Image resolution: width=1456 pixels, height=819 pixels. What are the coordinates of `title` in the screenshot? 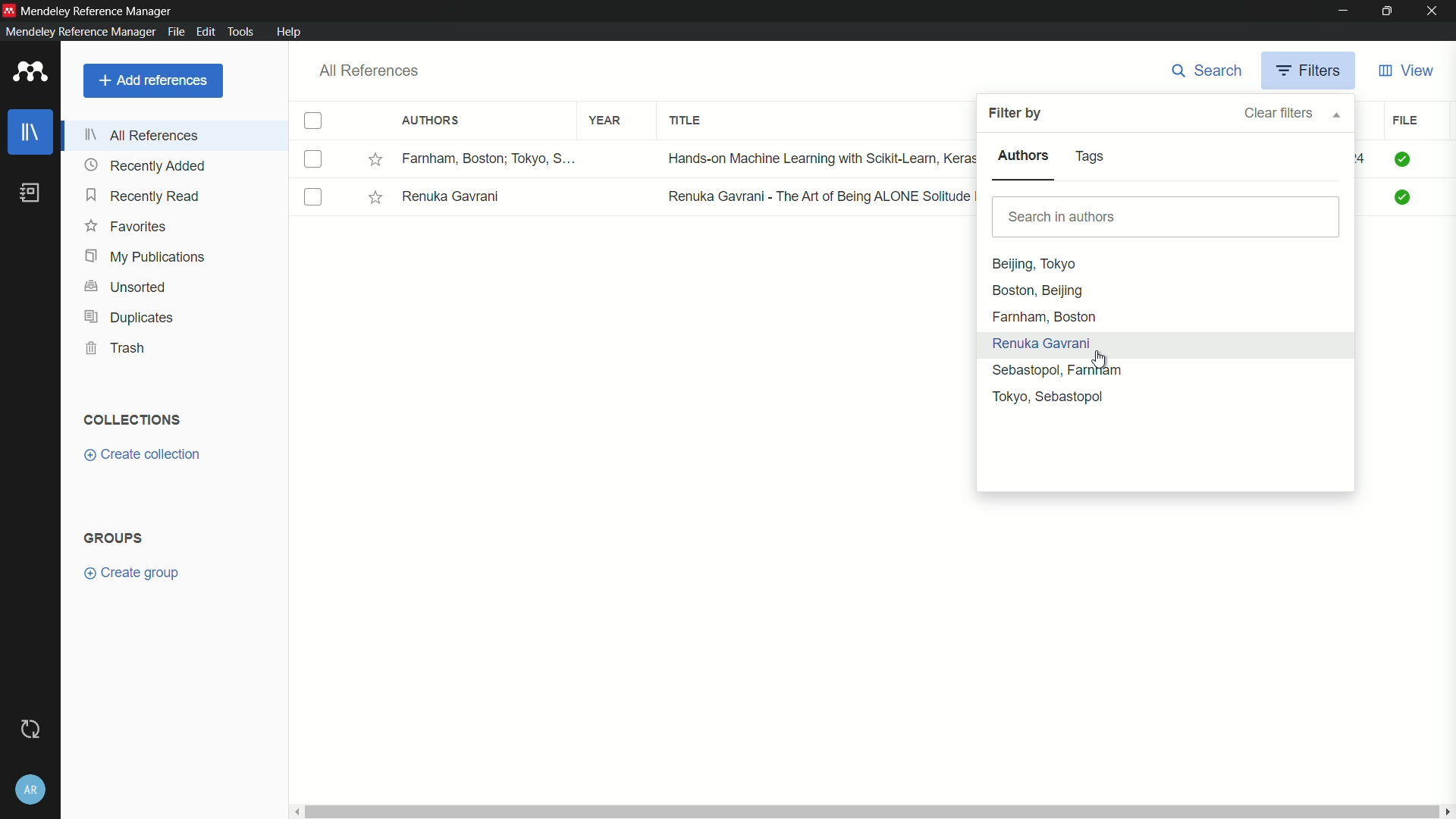 It's located at (685, 120).